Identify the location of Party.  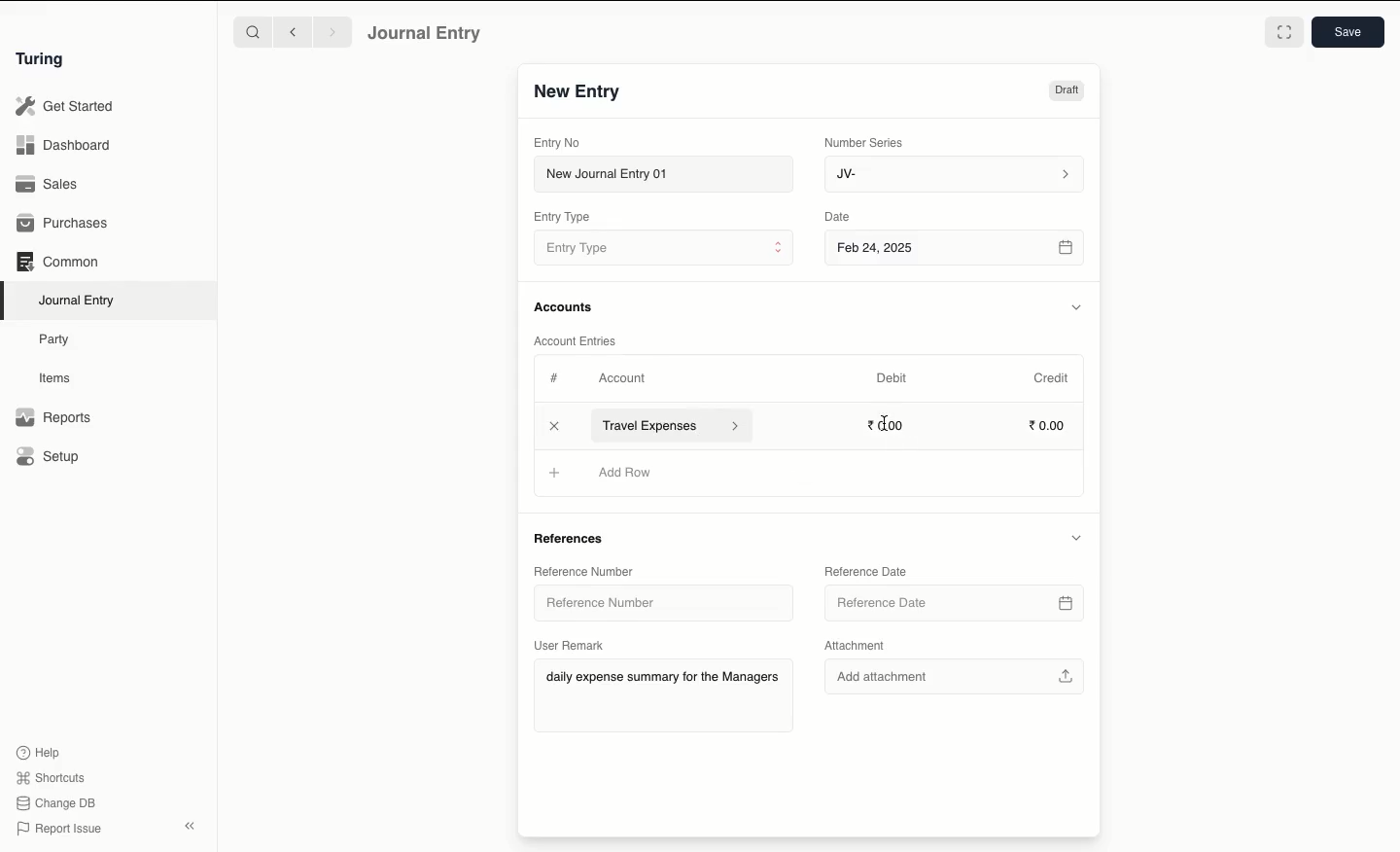
(59, 340).